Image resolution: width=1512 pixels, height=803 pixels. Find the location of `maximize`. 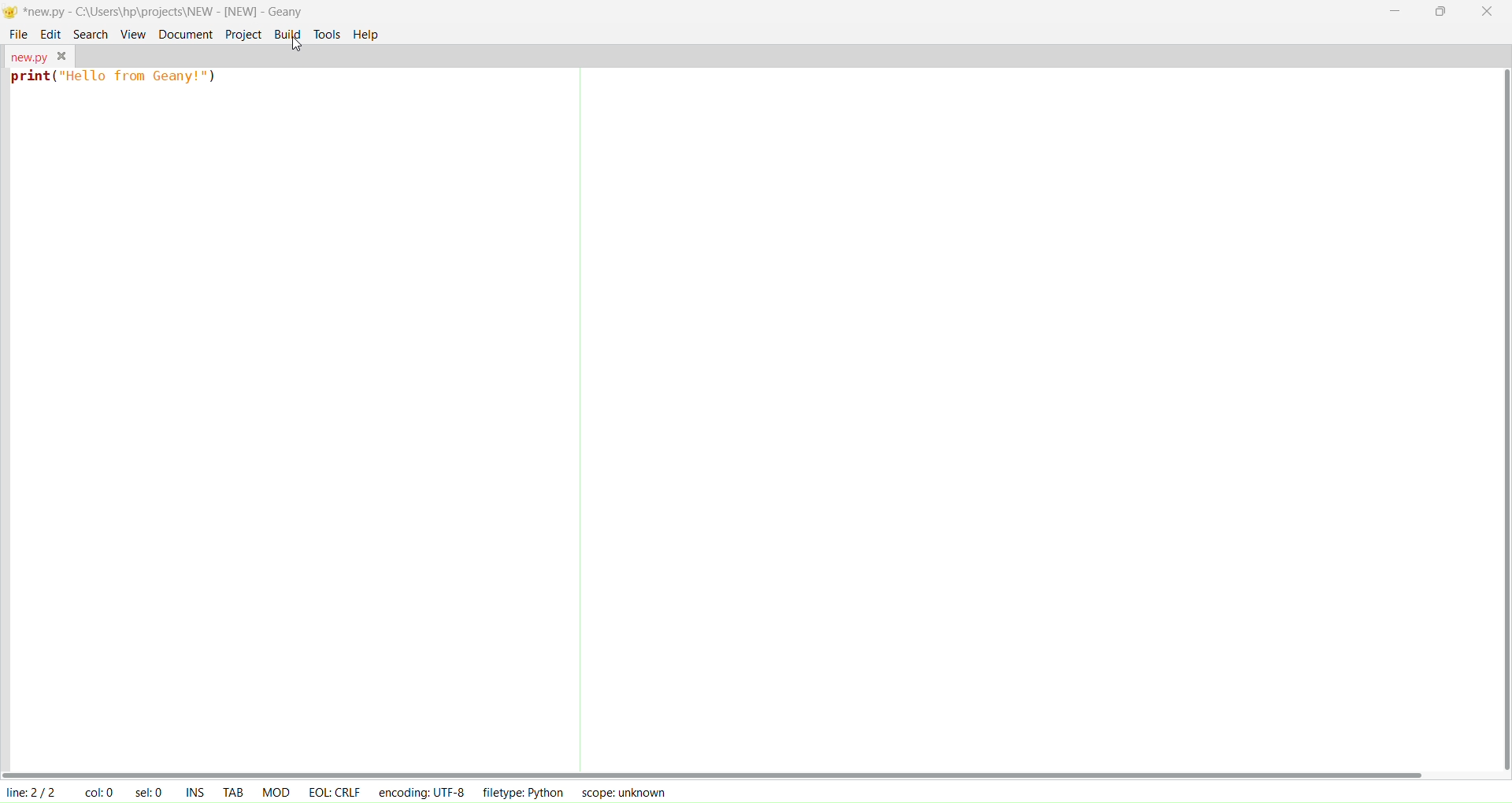

maximize is located at coordinates (1443, 10).